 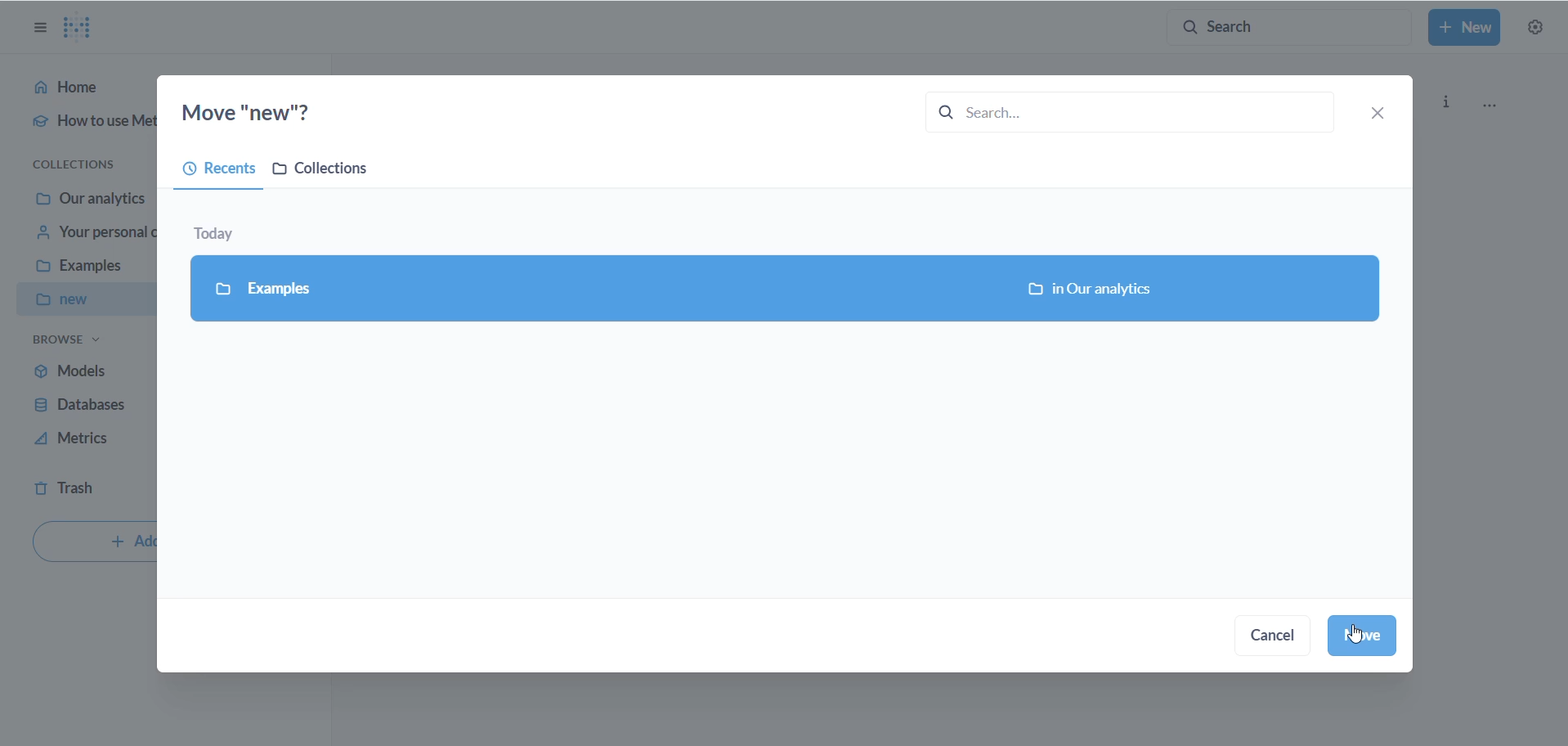 What do you see at coordinates (68, 344) in the screenshot?
I see `browse` at bounding box center [68, 344].